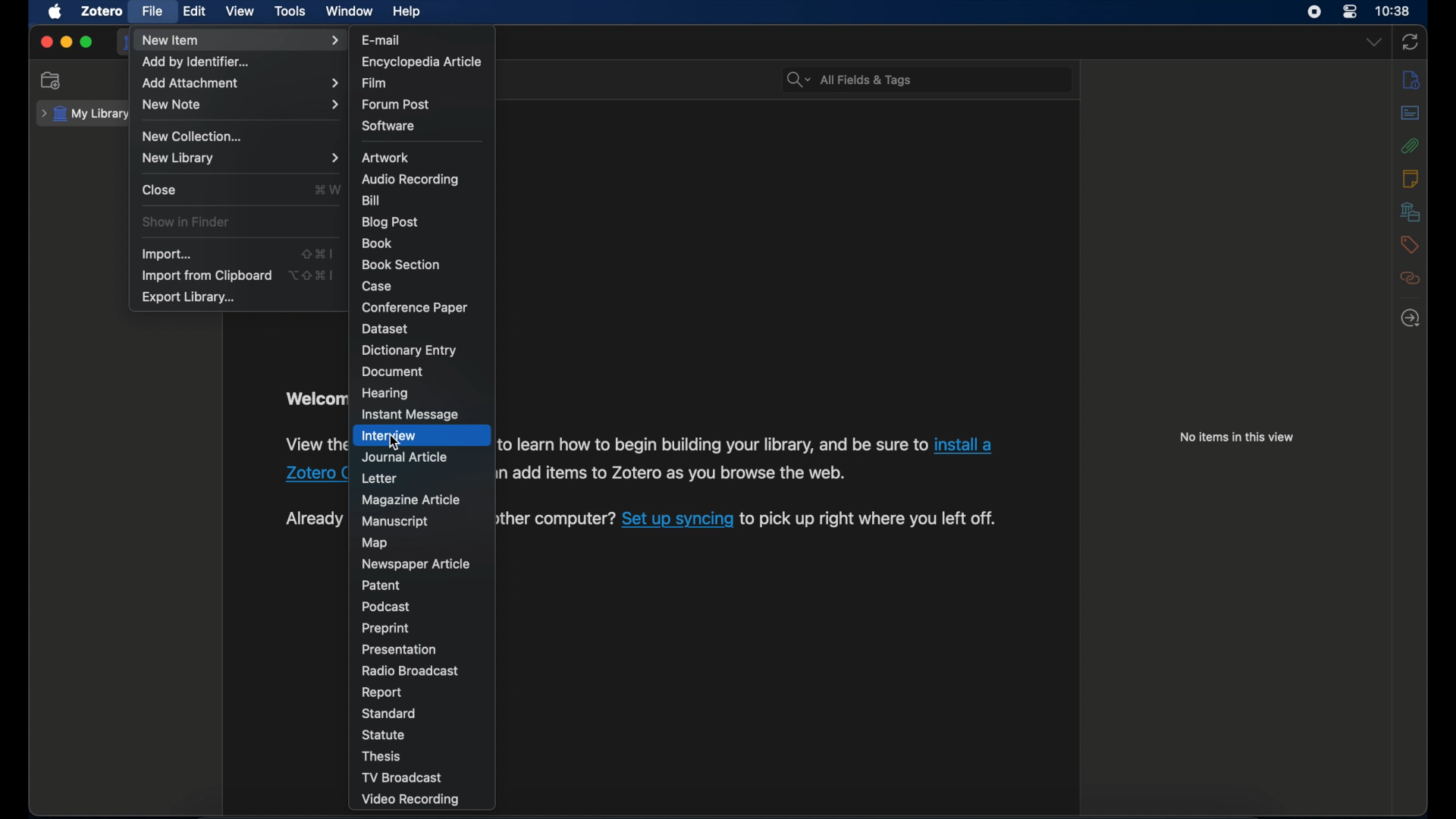 Image resolution: width=1456 pixels, height=819 pixels. Describe the element at coordinates (855, 80) in the screenshot. I see `search bar` at that location.